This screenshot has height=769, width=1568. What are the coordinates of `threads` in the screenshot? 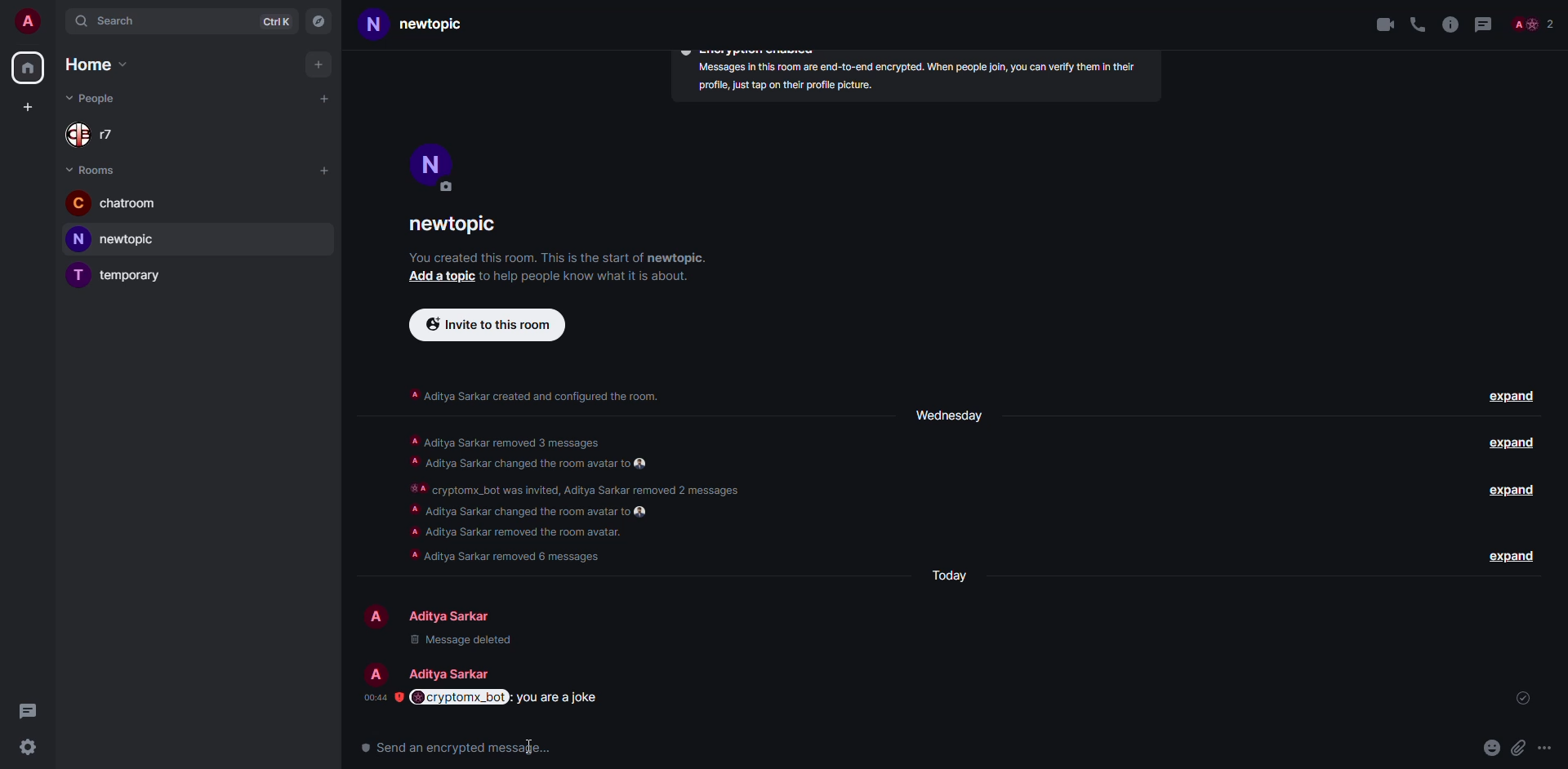 It's located at (1488, 24).